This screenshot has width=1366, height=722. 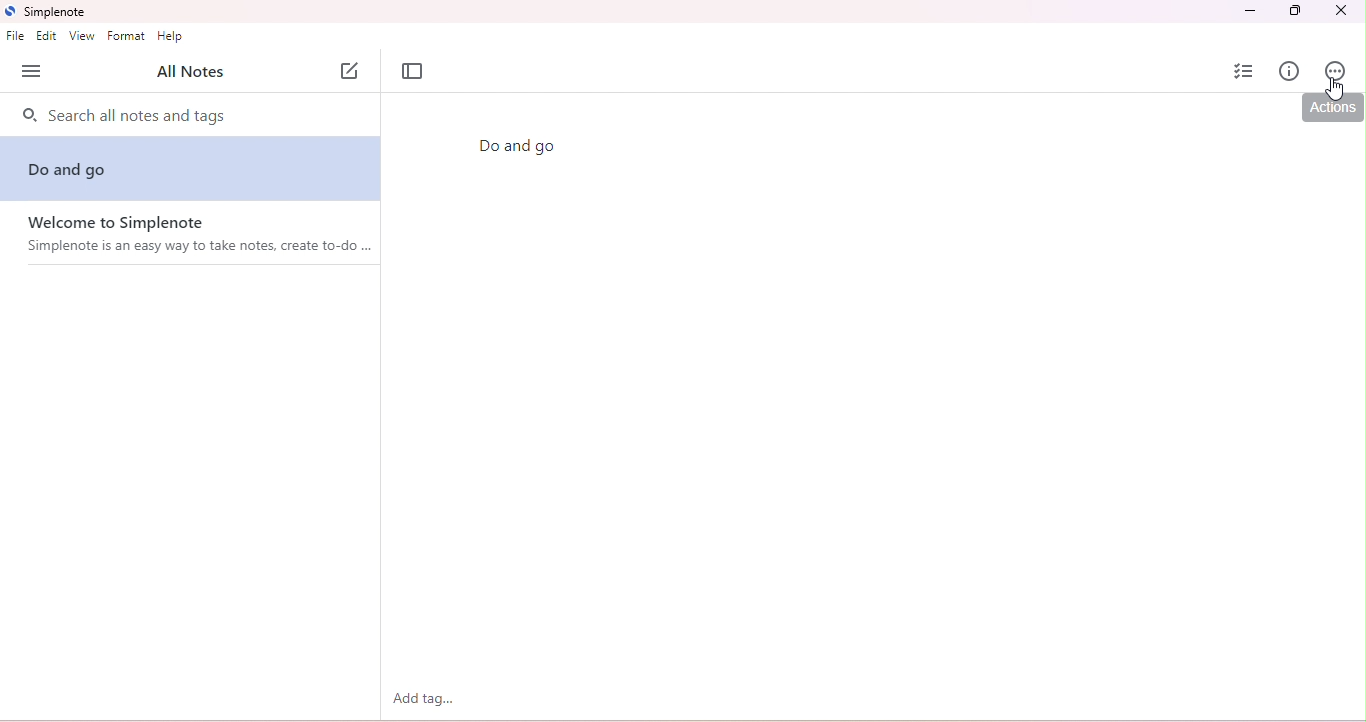 What do you see at coordinates (521, 147) in the screenshot?
I see `Do and go` at bounding box center [521, 147].